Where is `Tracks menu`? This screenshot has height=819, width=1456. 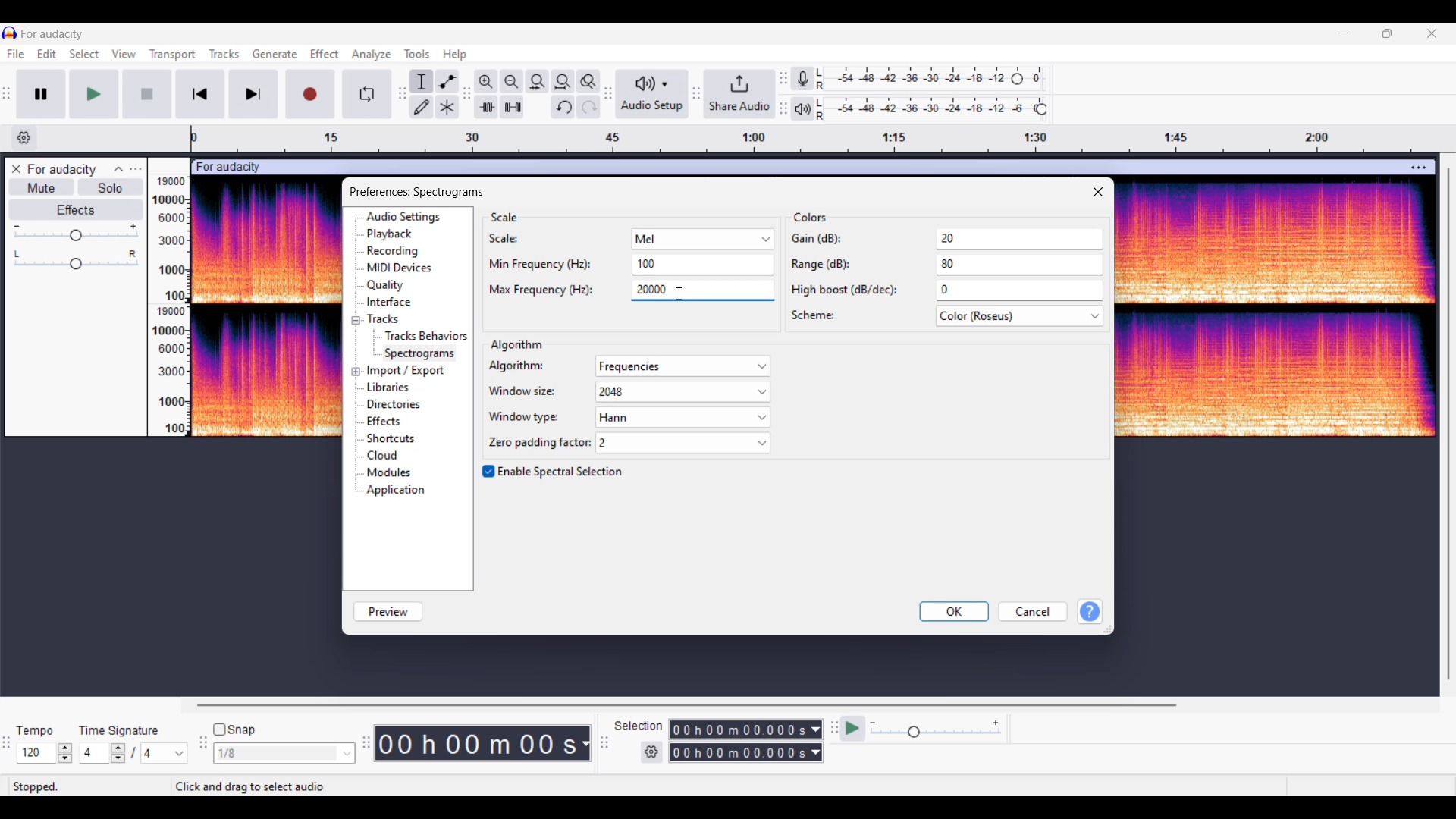
Tracks menu is located at coordinates (224, 54).